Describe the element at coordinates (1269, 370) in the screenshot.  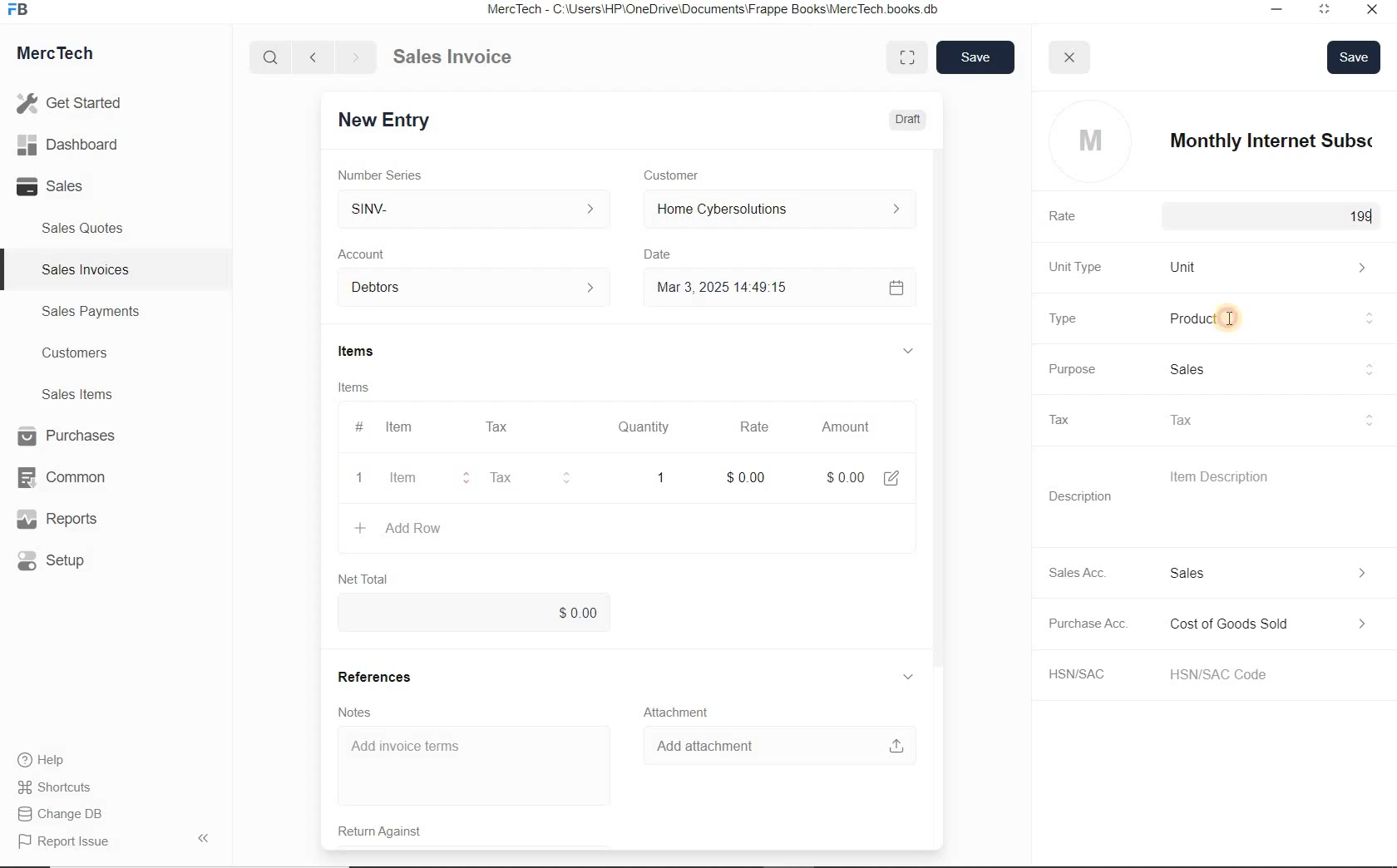
I see `Sales` at that location.